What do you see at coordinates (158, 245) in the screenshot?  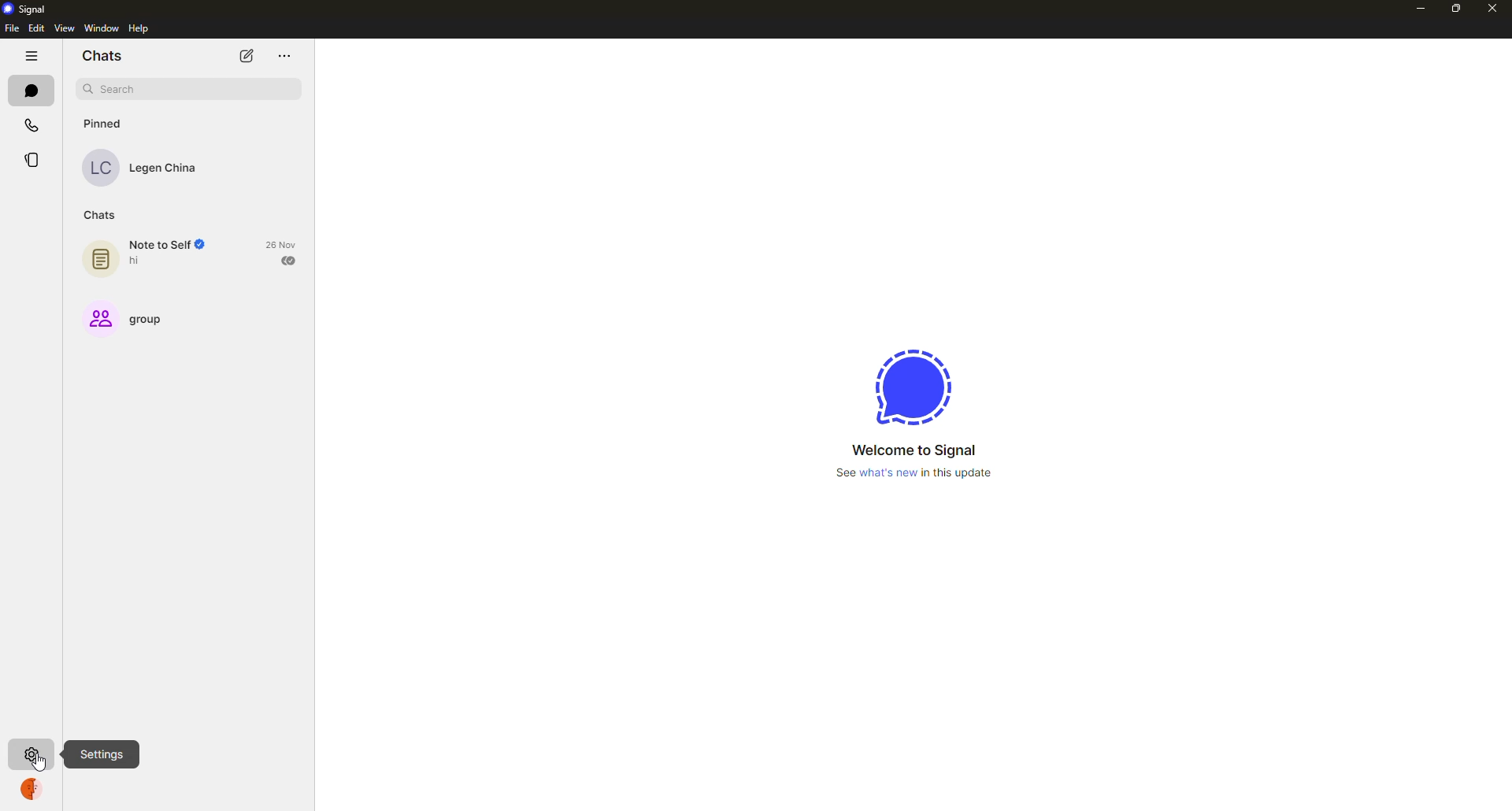 I see `Note to Self` at bounding box center [158, 245].